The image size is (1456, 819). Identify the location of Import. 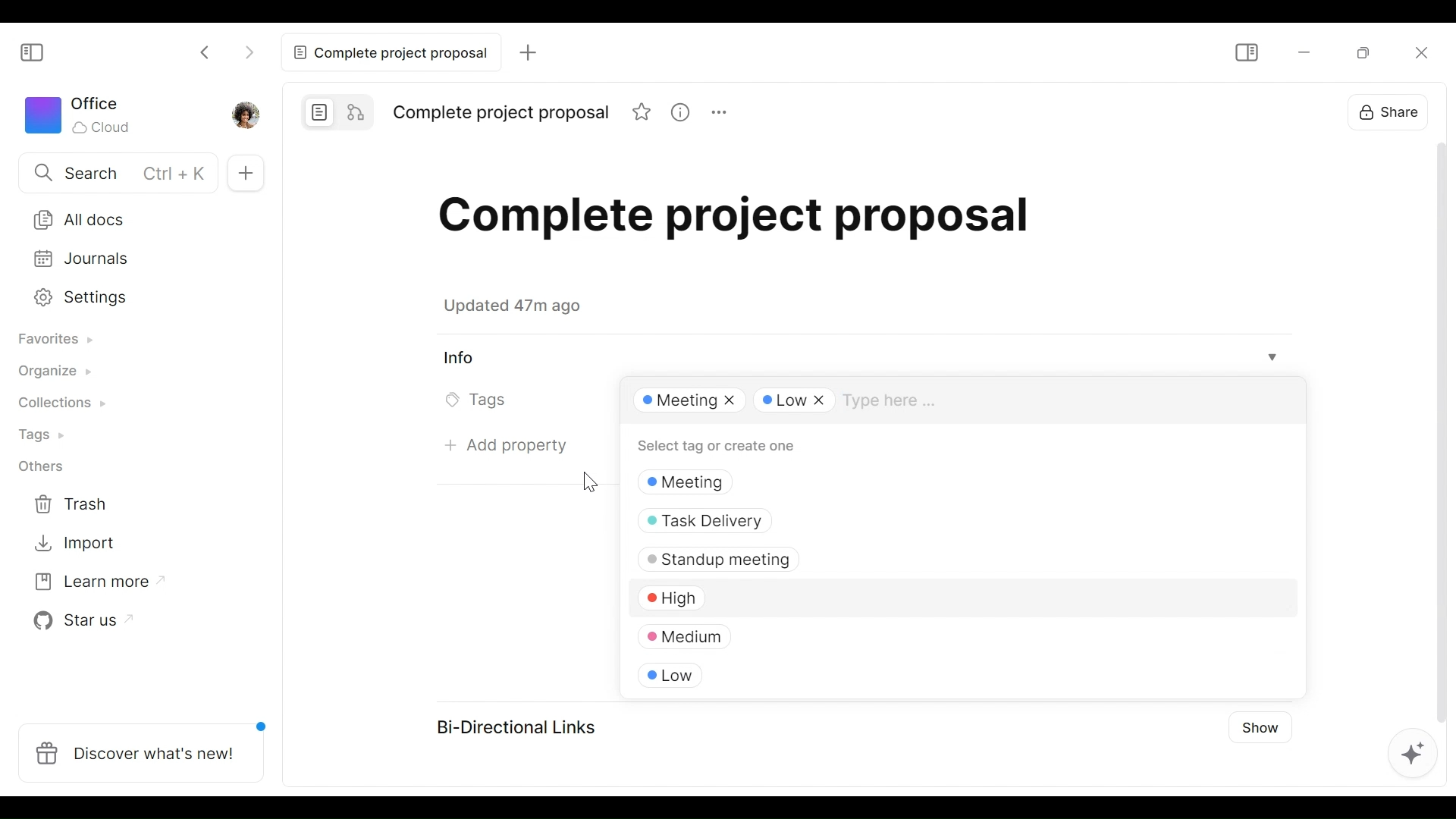
(79, 544).